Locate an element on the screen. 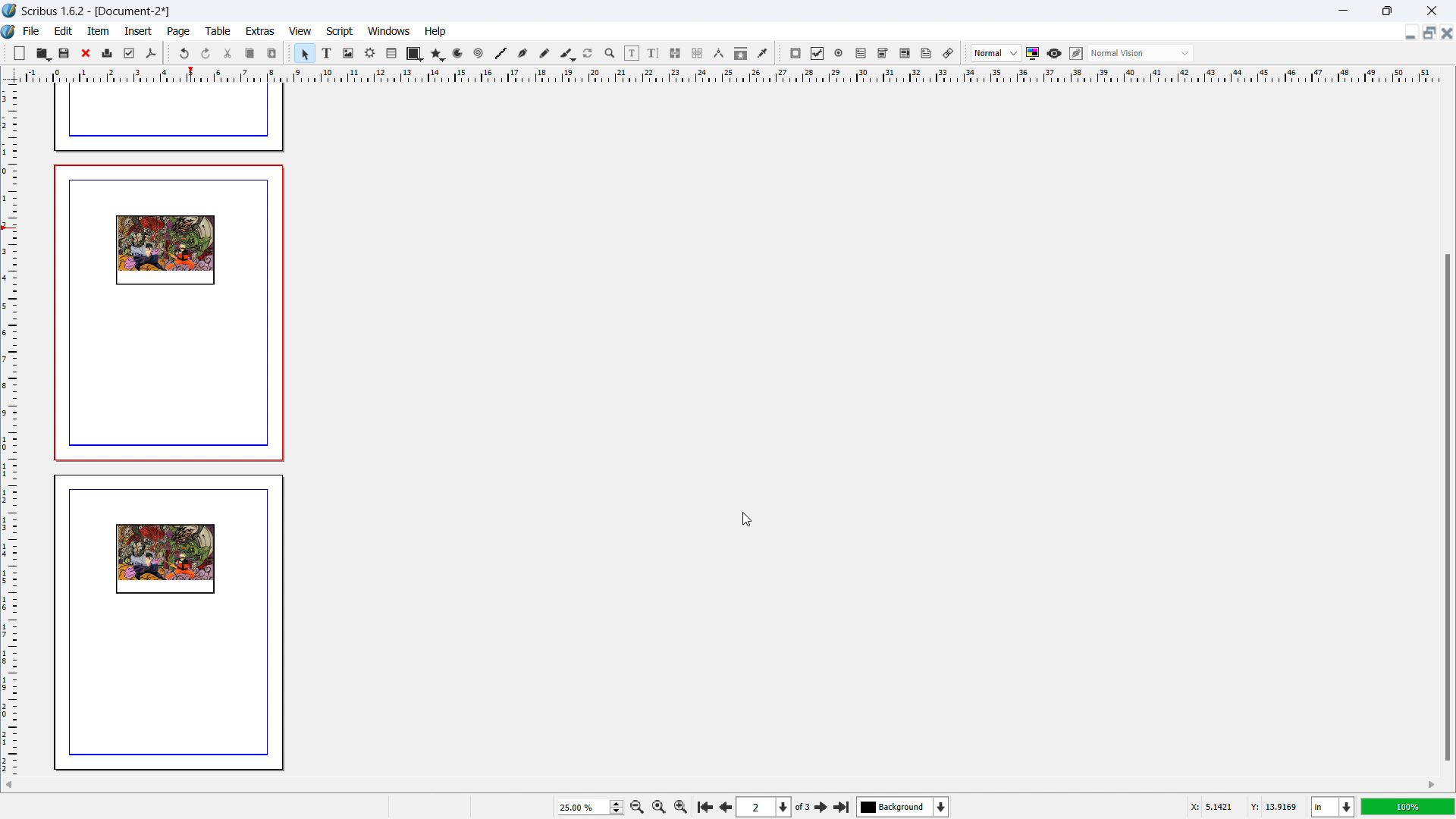 Image resolution: width=1456 pixels, height=819 pixels. move toolbox is located at coordinates (168, 52).